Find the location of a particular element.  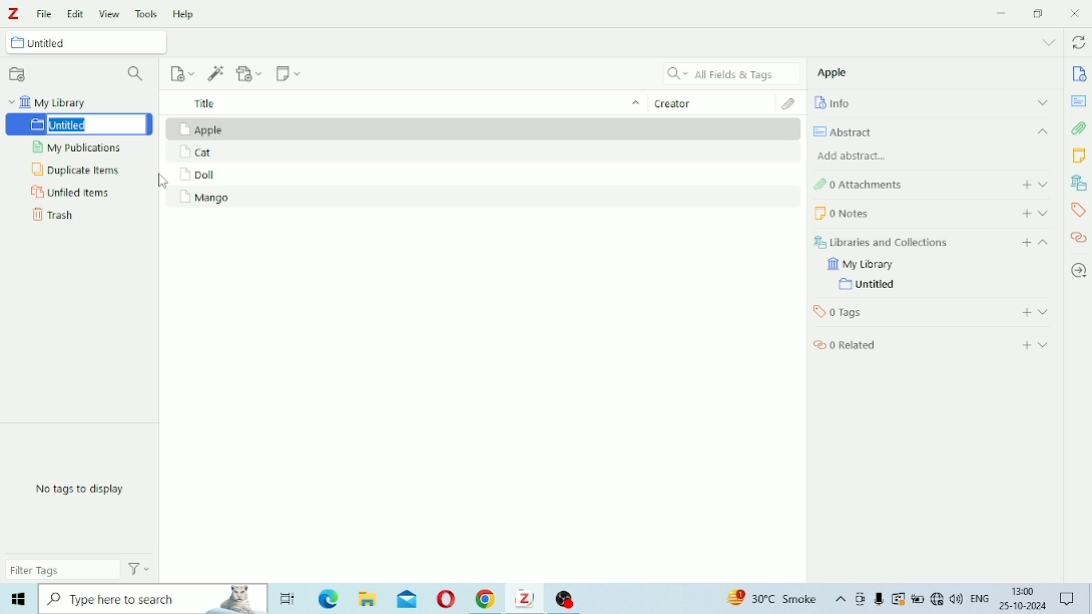

 is located at coordinates (482, 598).